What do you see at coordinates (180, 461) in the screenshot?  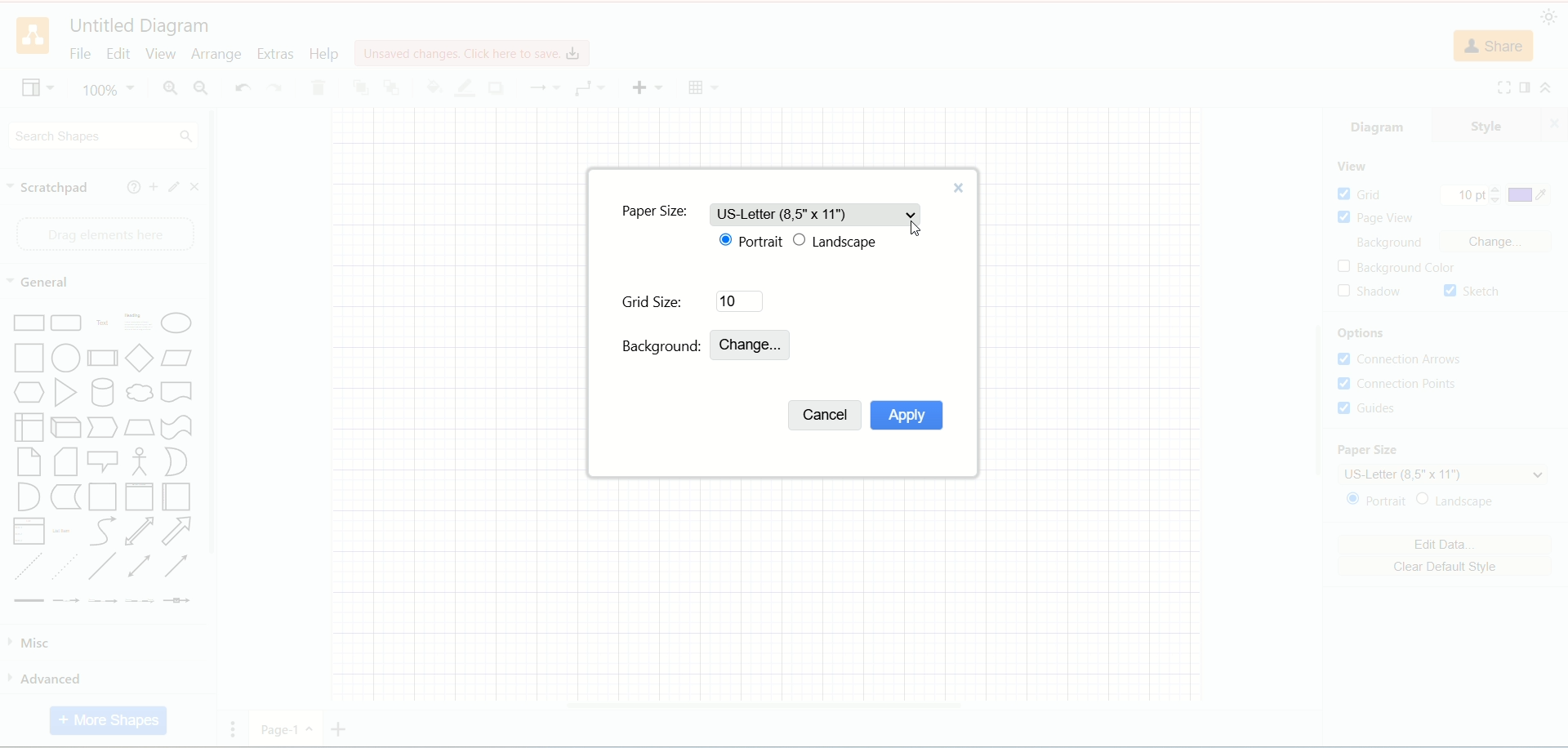 I see `Or` at bounding box center [180, 461].